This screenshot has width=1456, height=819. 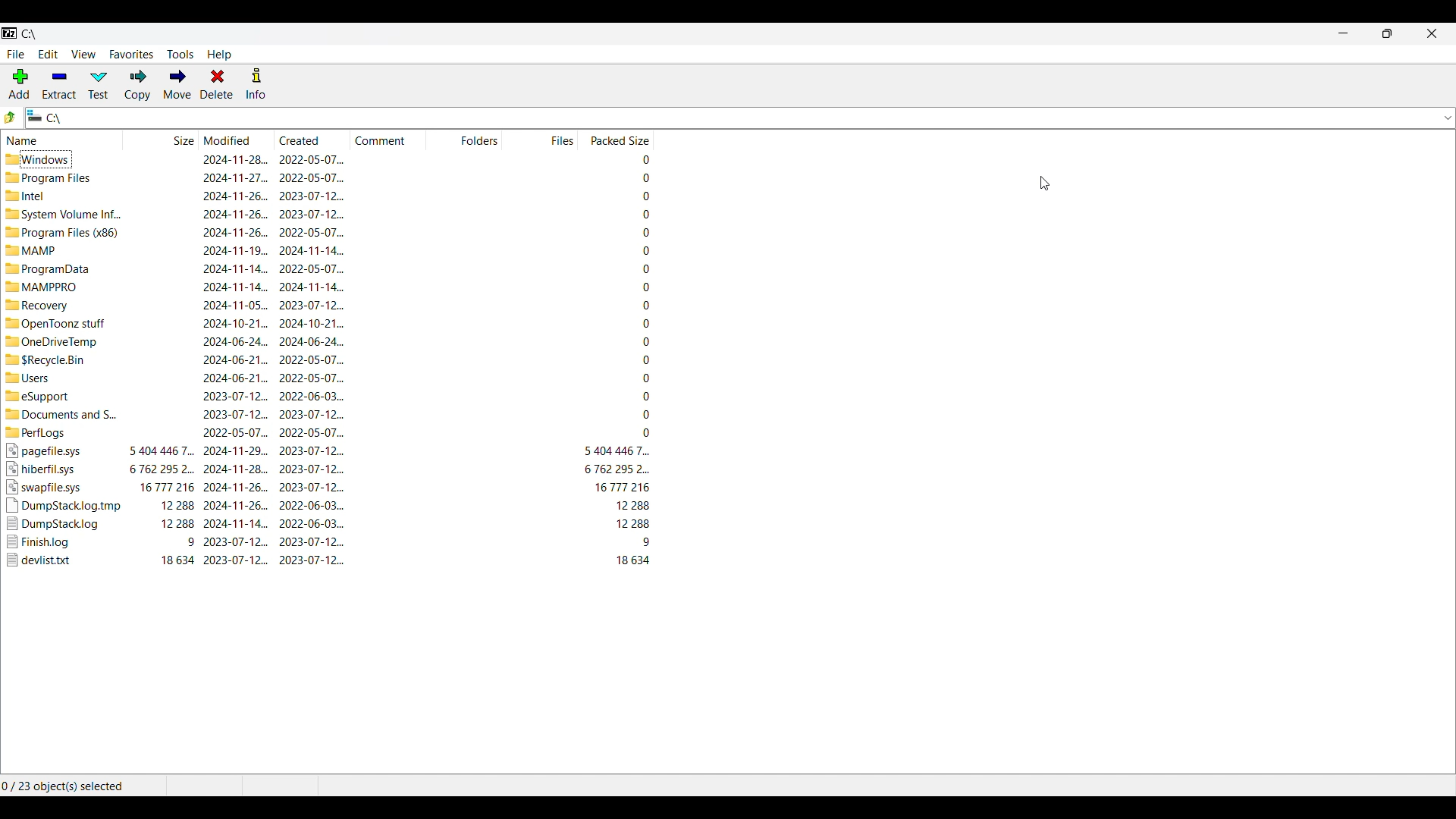 I want to click on $Recycle.Bin, so click(x=55, y=359).